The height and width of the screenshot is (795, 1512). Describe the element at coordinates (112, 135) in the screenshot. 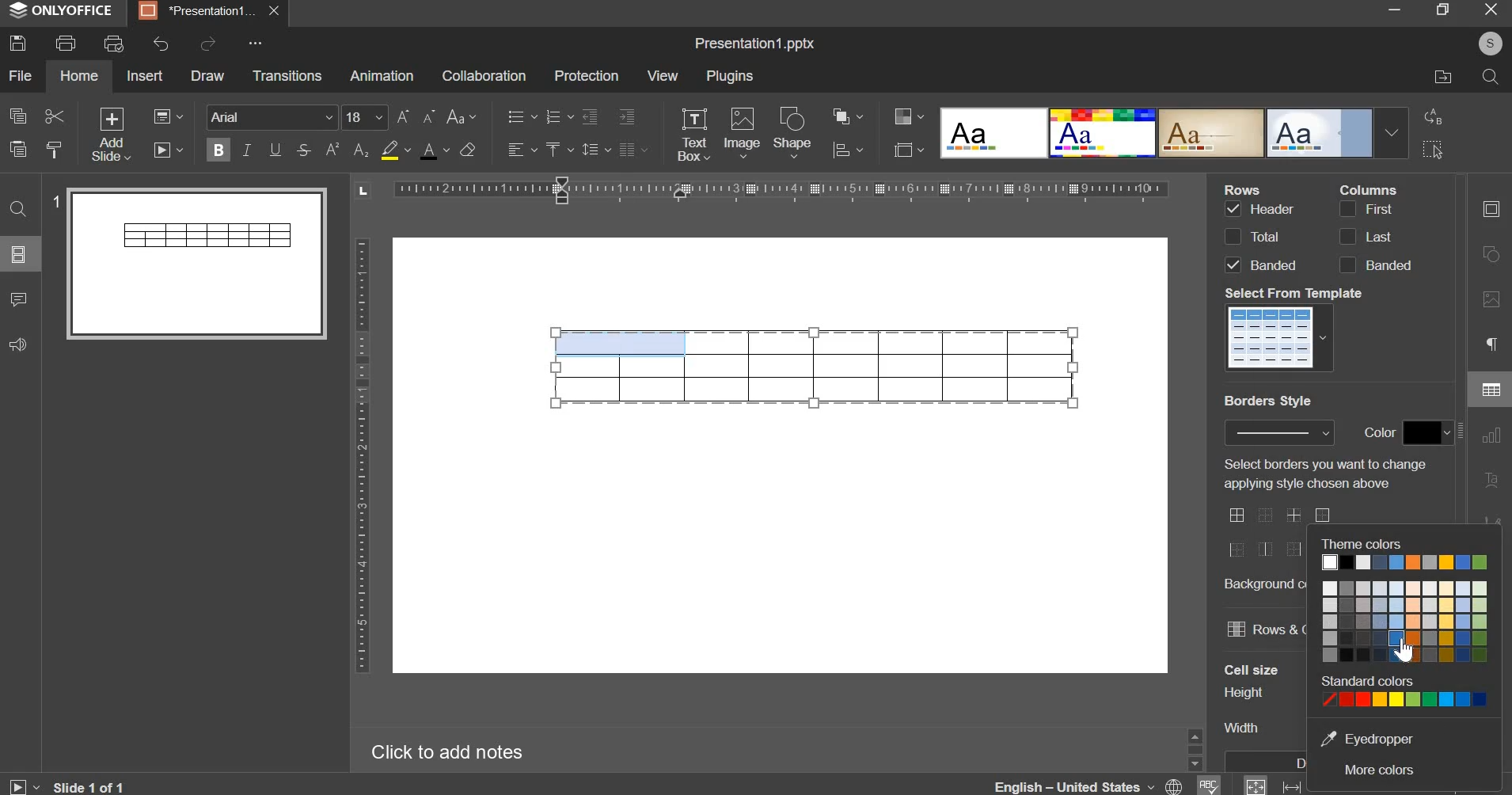

I see `add slide` at that location.